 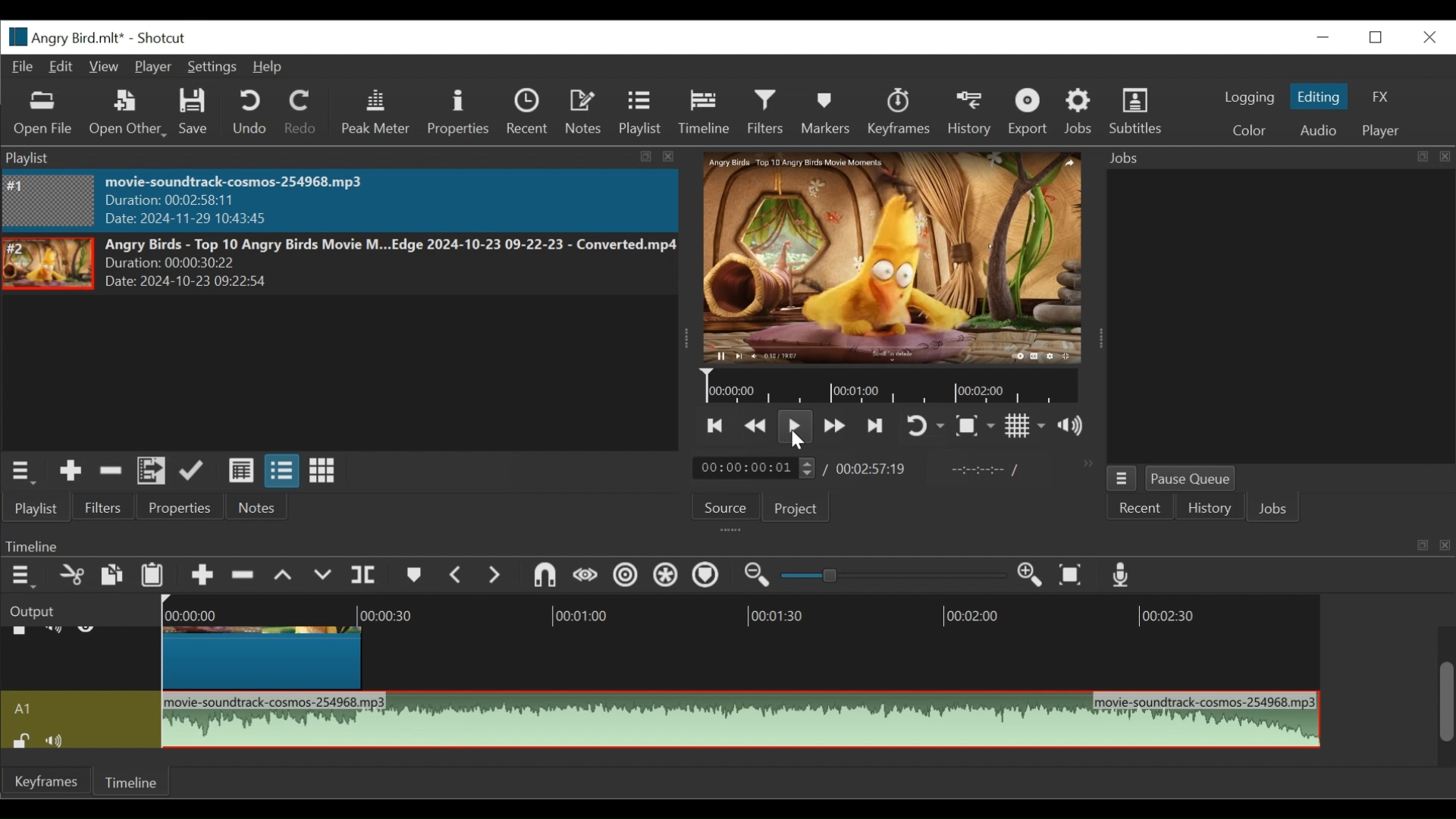 I want to click on Image, so click(x=49, y=200).